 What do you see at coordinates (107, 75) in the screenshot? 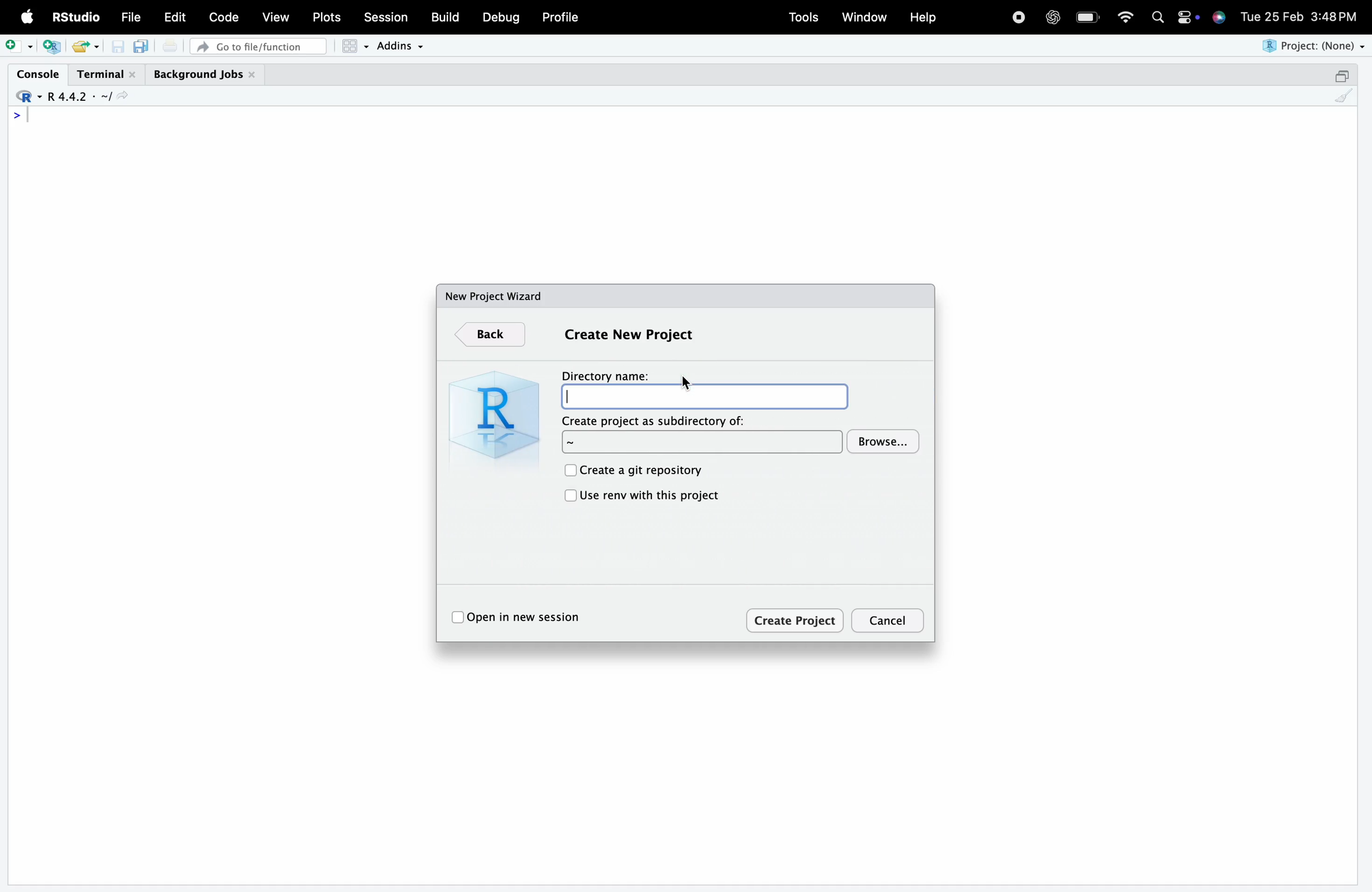
I see `Terminal` at bounding box center [107, 75].